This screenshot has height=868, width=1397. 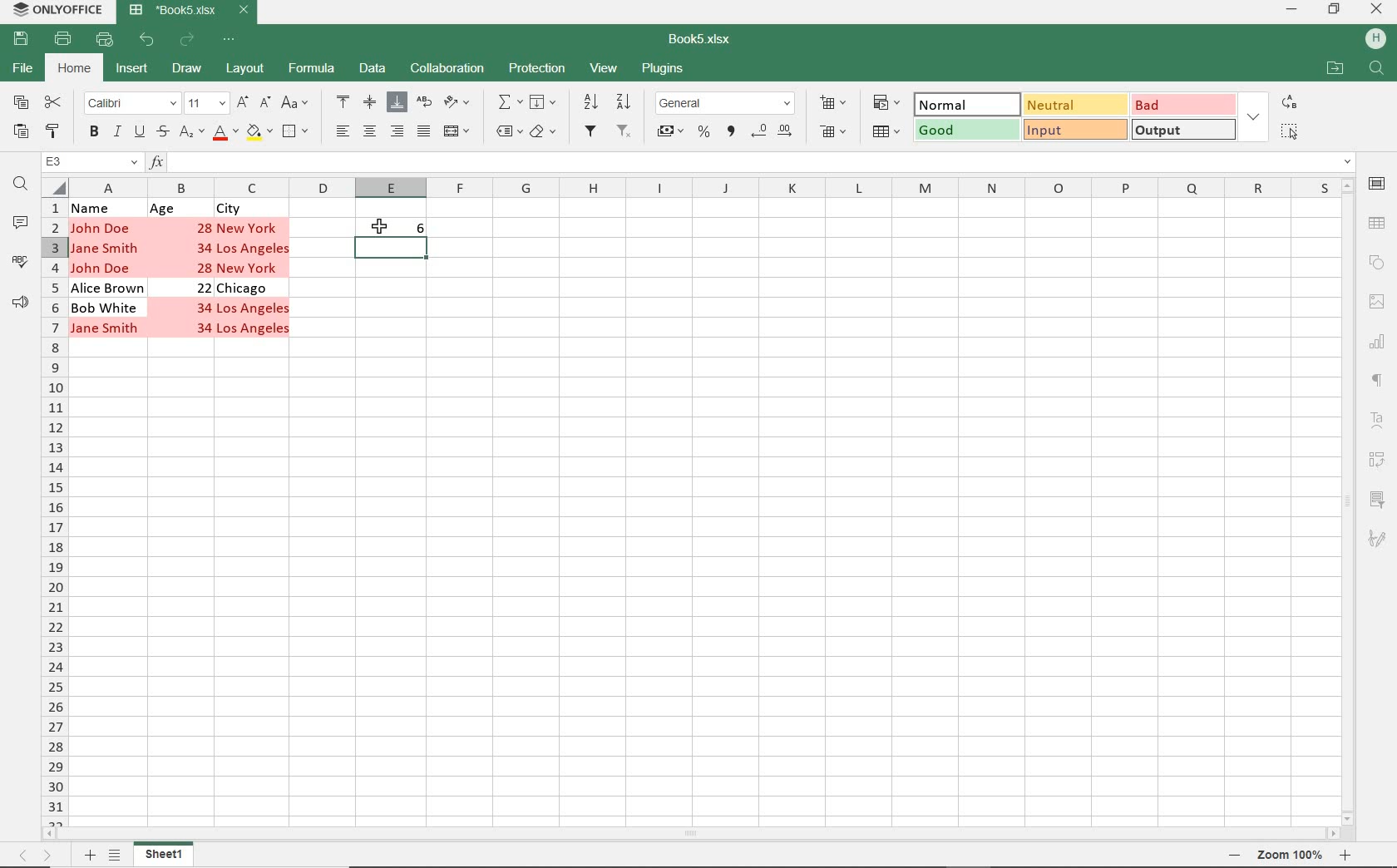 What do you see at coordinates (370, 104) in the screenshot?
I see `ALIGN MIDDLE` at bounding box center [370, 104].